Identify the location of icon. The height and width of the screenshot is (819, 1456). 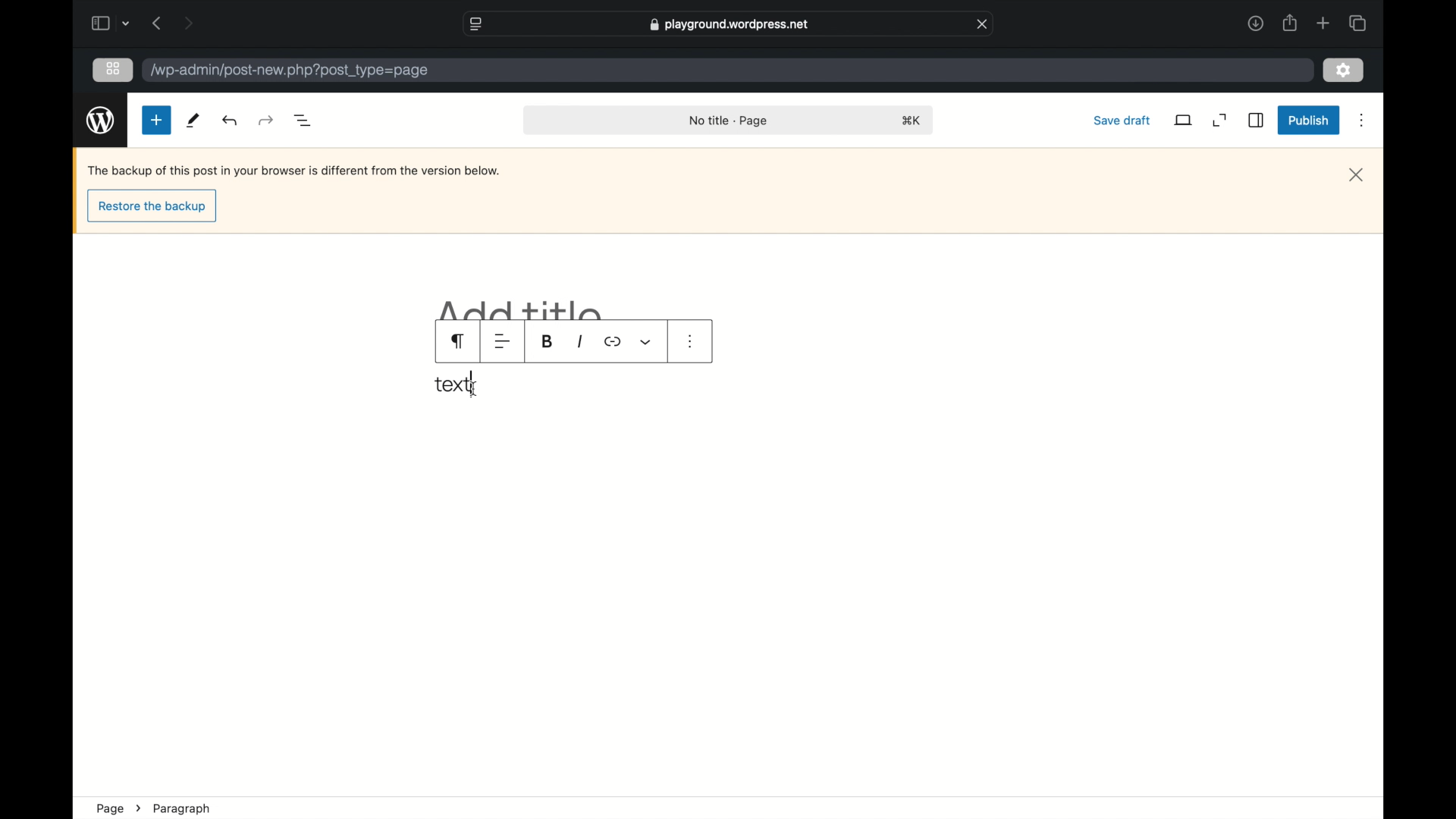
(613, 342).